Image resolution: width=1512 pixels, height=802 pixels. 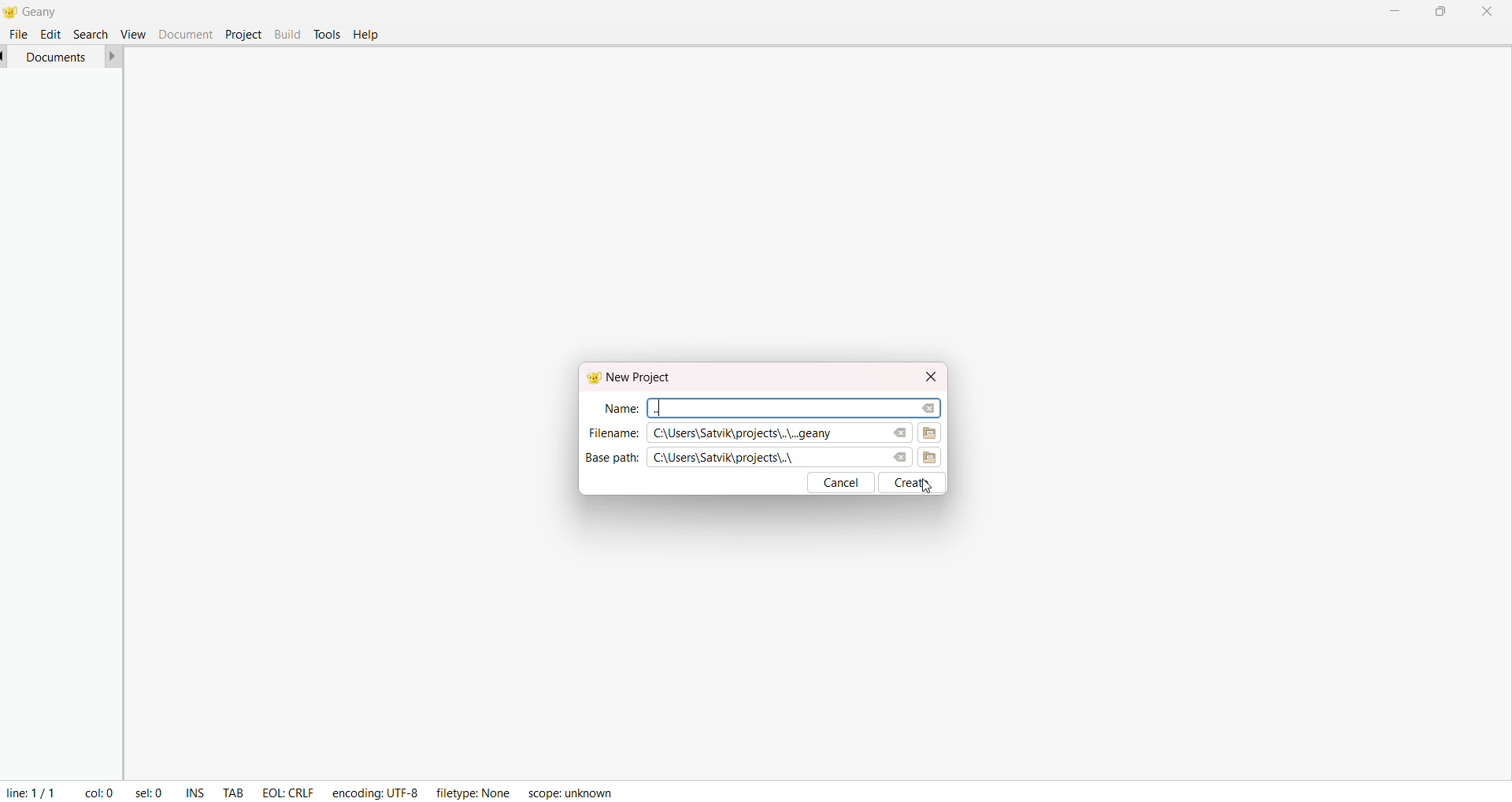 I want to click on clear name, so click(x=929, y=408).